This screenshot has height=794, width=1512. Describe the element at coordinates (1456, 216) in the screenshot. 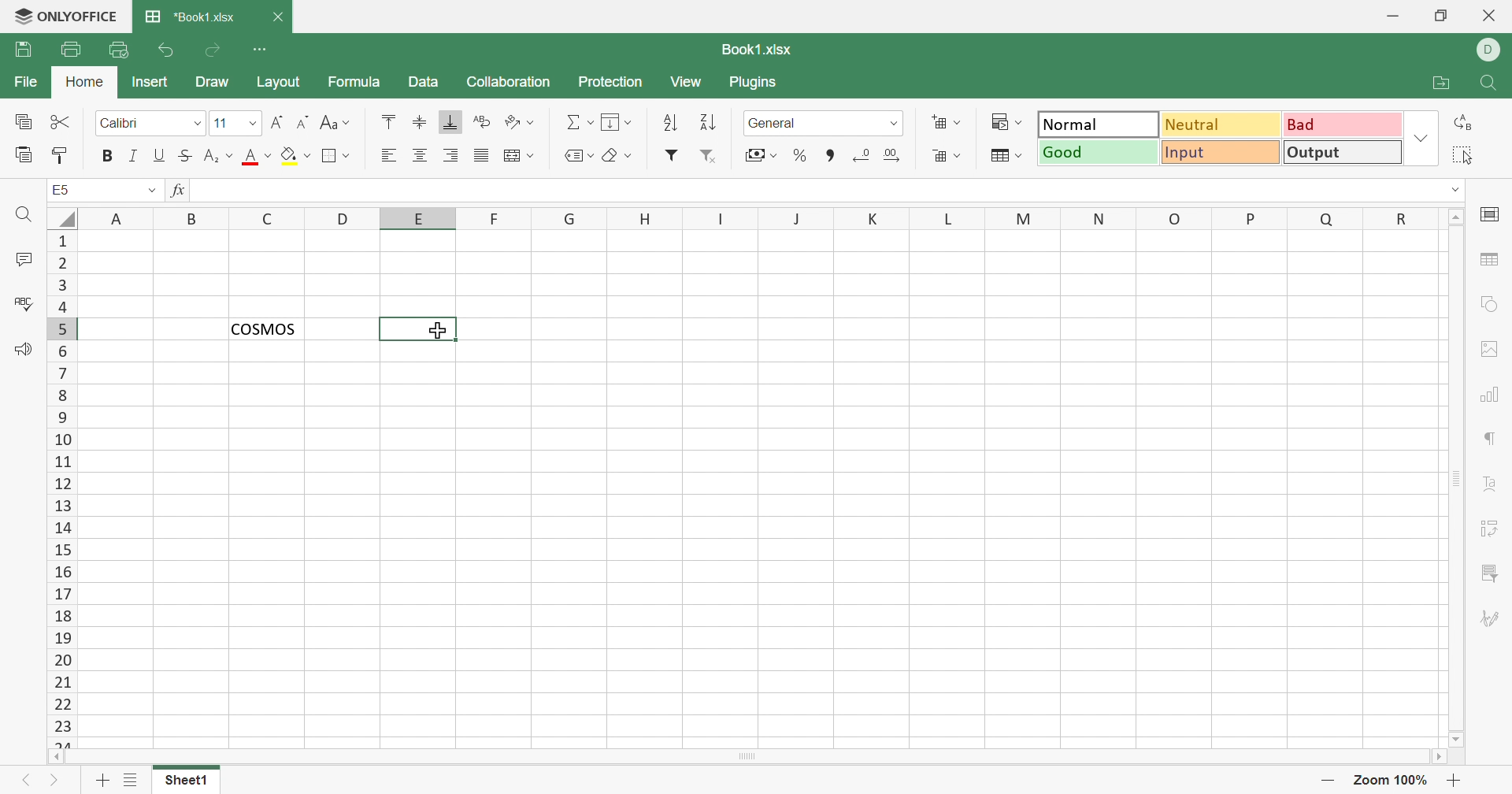

I see `Scroll up` at that location.